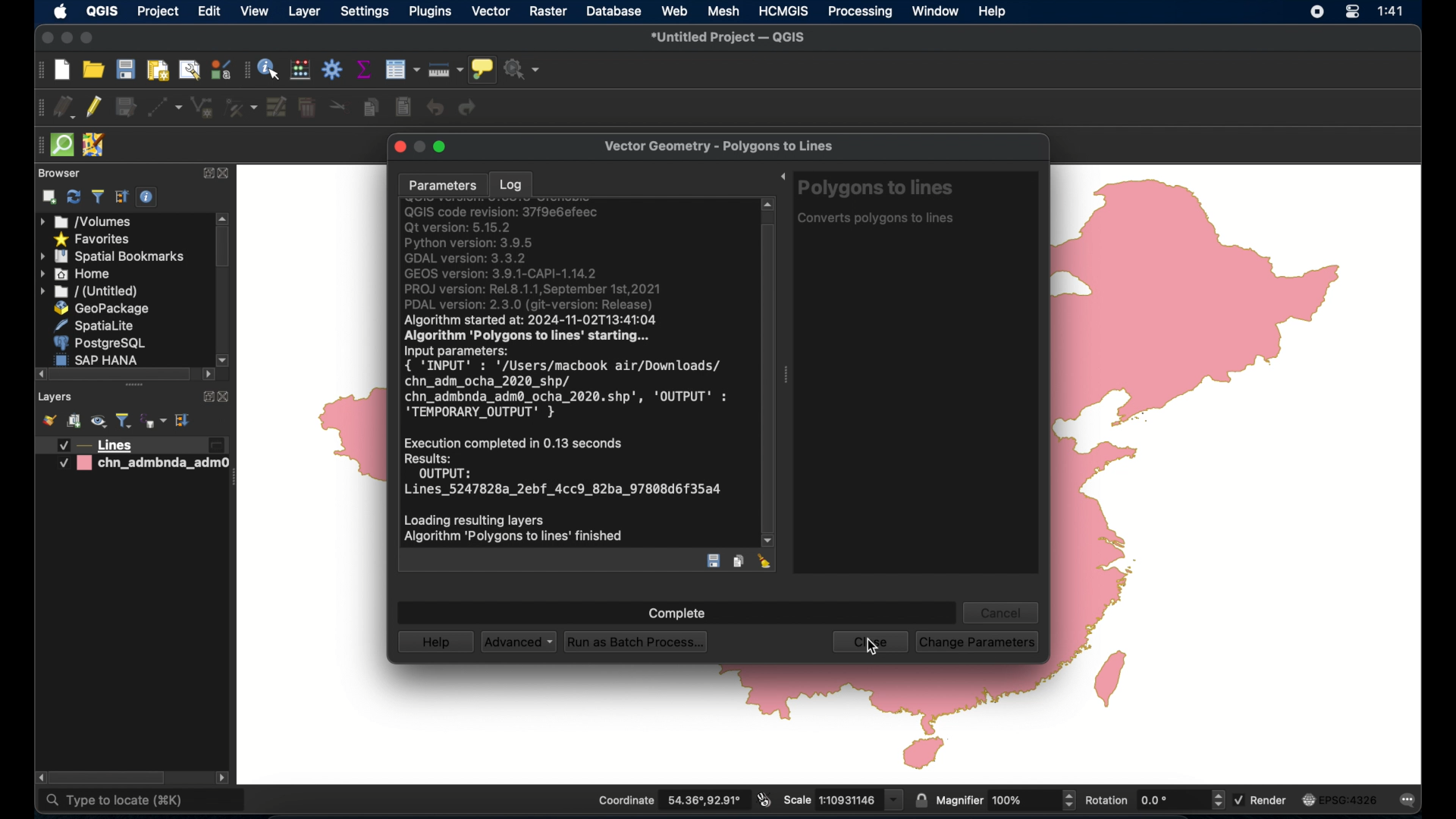 This screenshot has height=819, width=1456. I want to click on favorites, so click(95, 240).